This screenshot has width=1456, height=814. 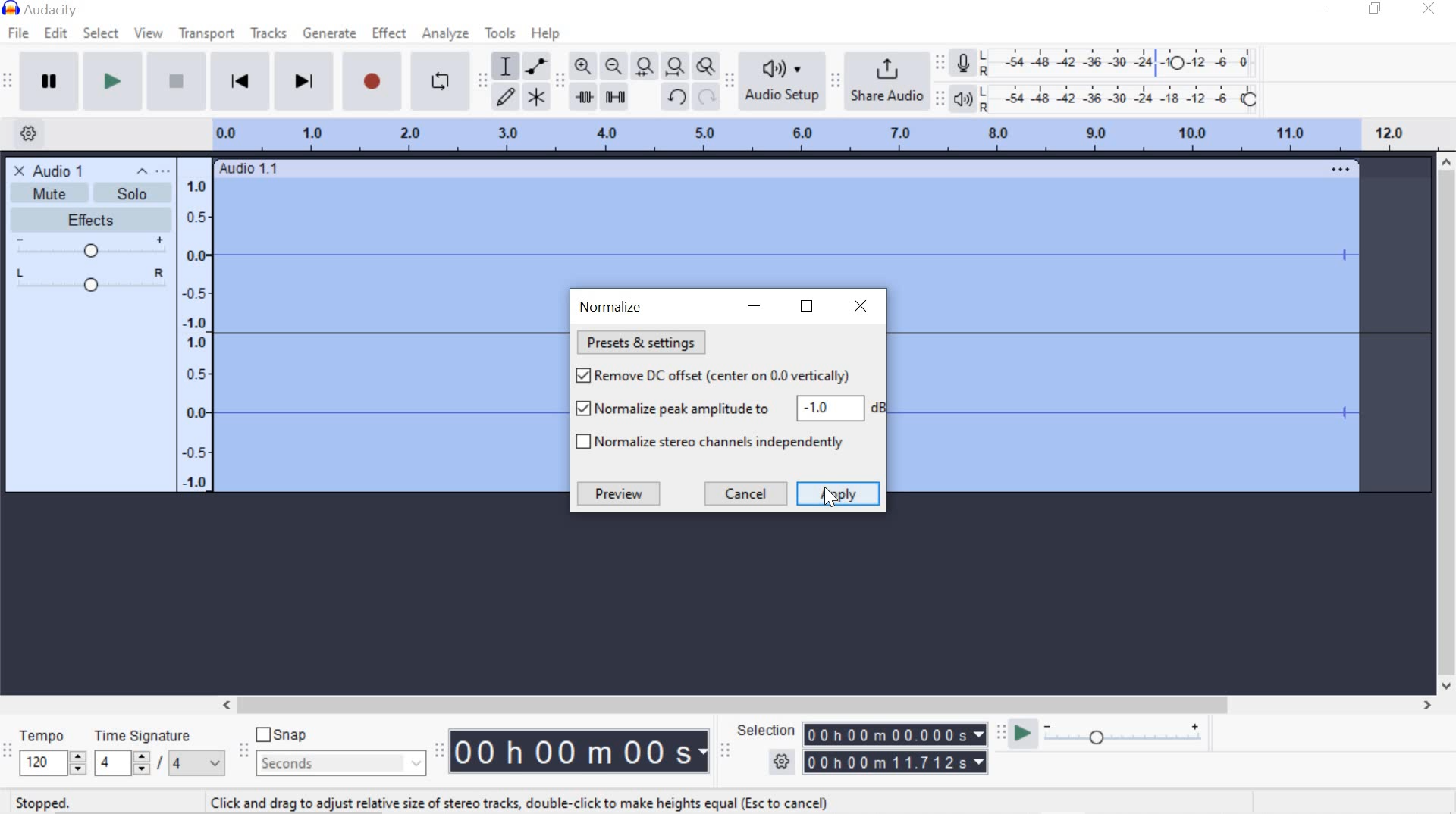 What do you see at coordinates (133, 183) in the screenshot?
I see `solo` at bounding box center [133, 183].